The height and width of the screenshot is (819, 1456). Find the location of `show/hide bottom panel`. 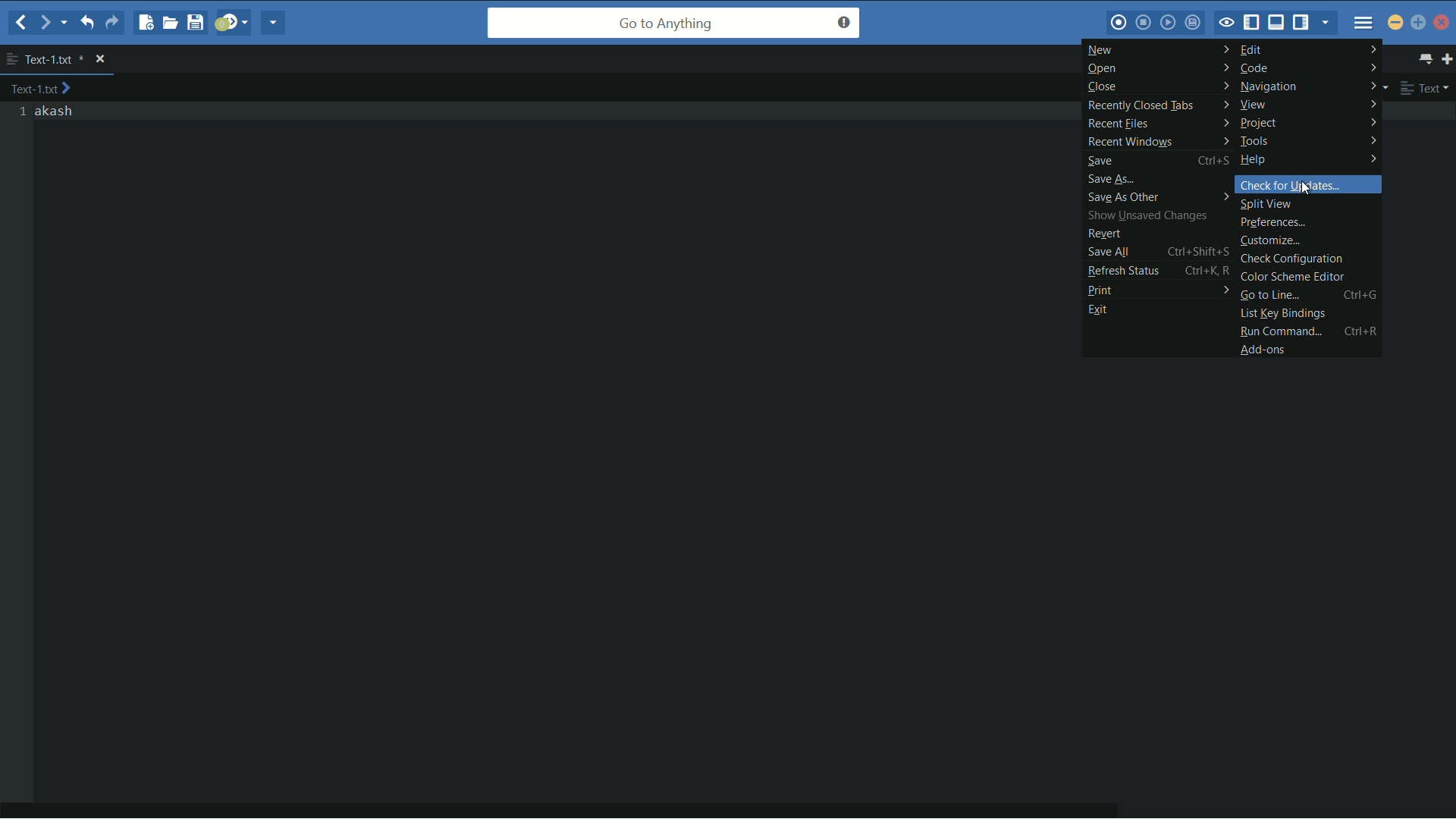

show/hide bottom panel is located at coordinates (1278, 22).